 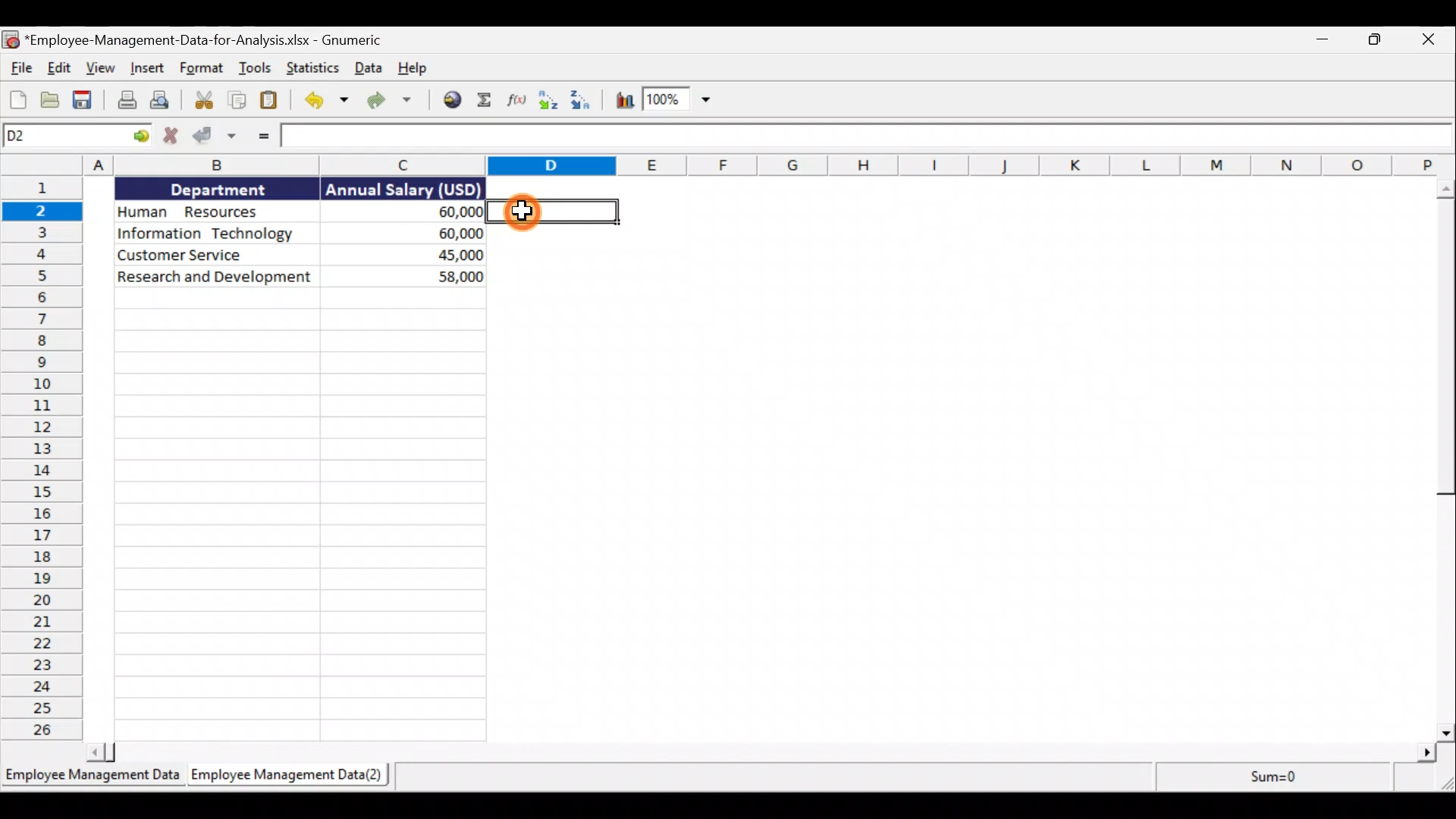 I want to click on Cut the selection, so click(x=202, y=100).